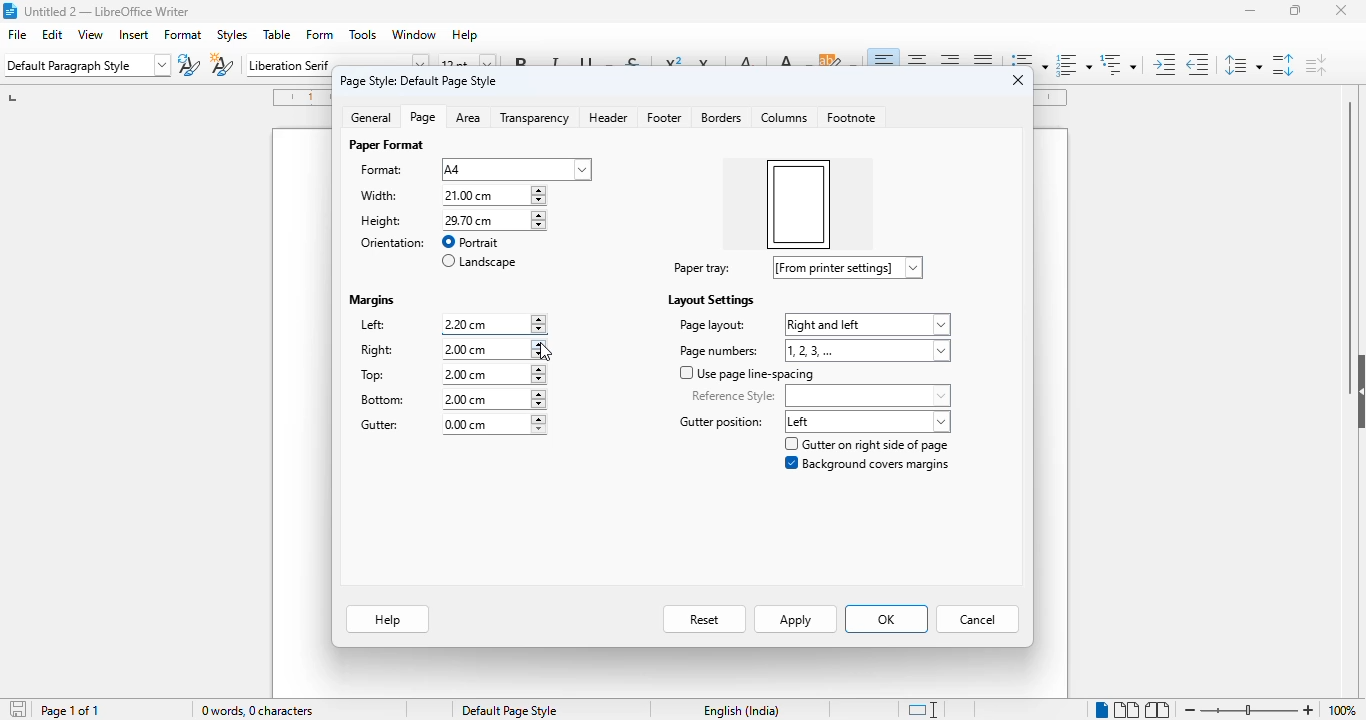 This screenshot has width=1366, height=720. I want to click on gutter margin input box, so click(483, 424).